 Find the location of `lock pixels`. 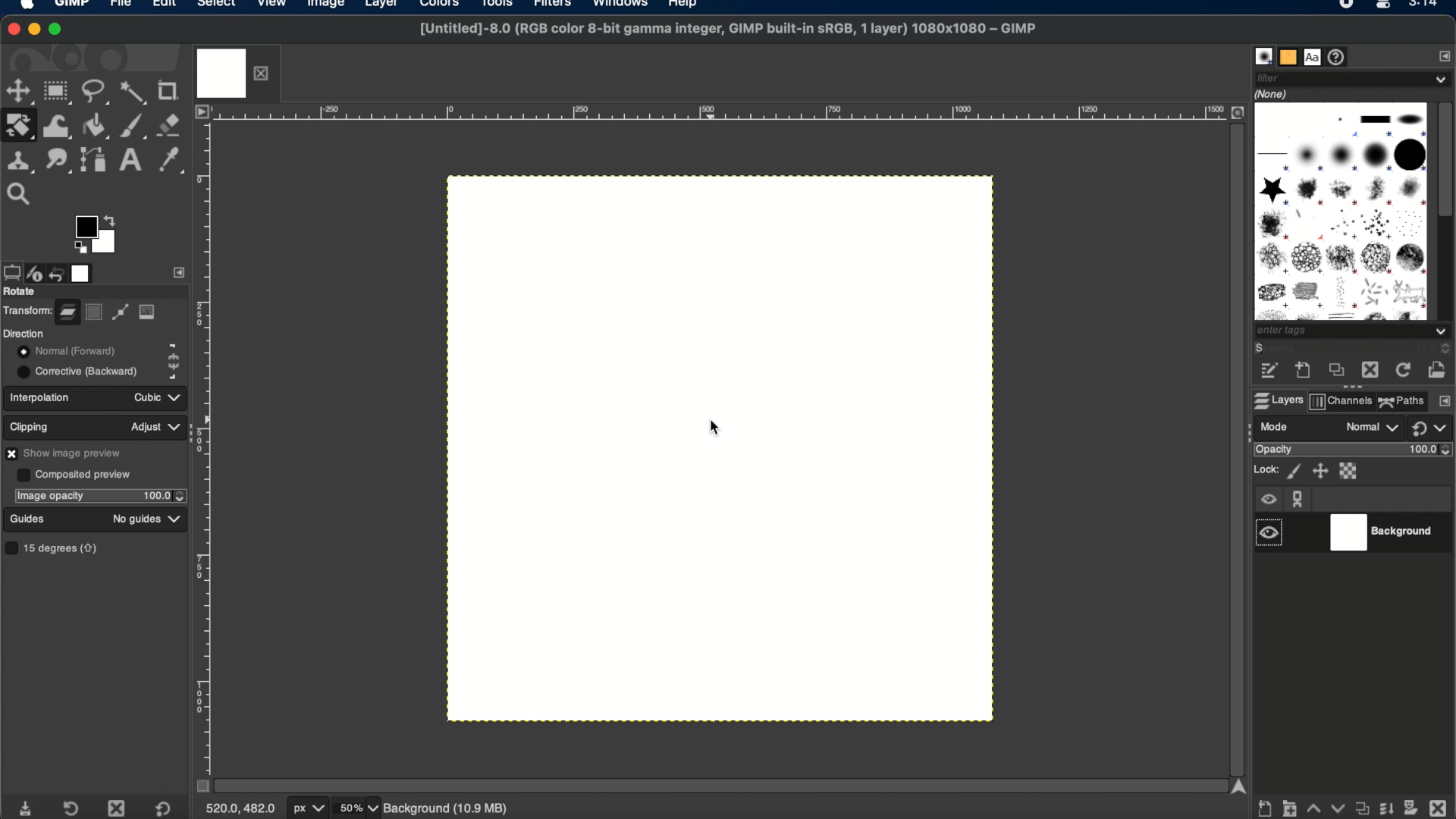

lock pixels is located at coordinates (1293, 471).